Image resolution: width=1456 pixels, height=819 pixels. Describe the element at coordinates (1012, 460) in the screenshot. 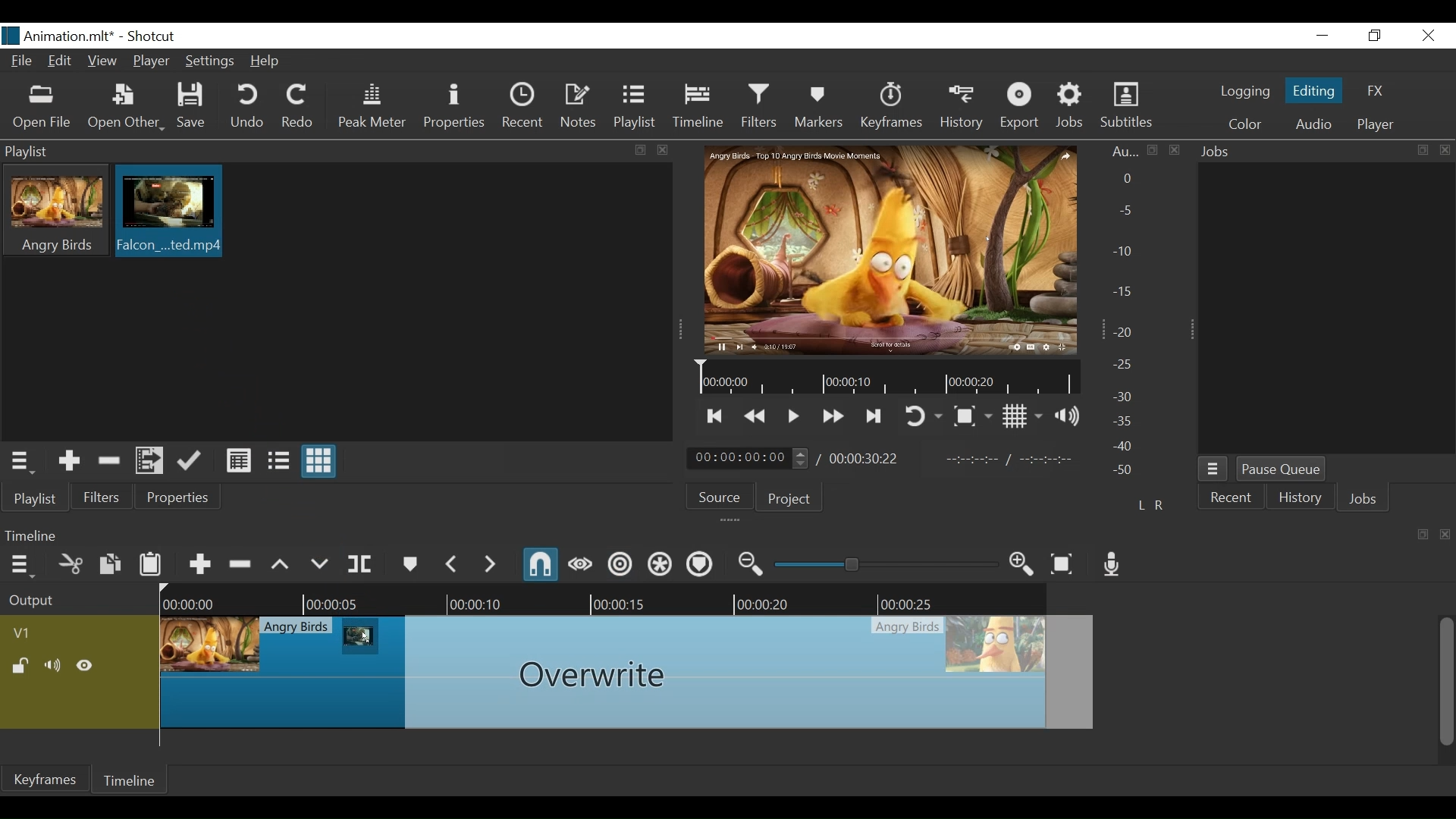

I see `In point` at that location.